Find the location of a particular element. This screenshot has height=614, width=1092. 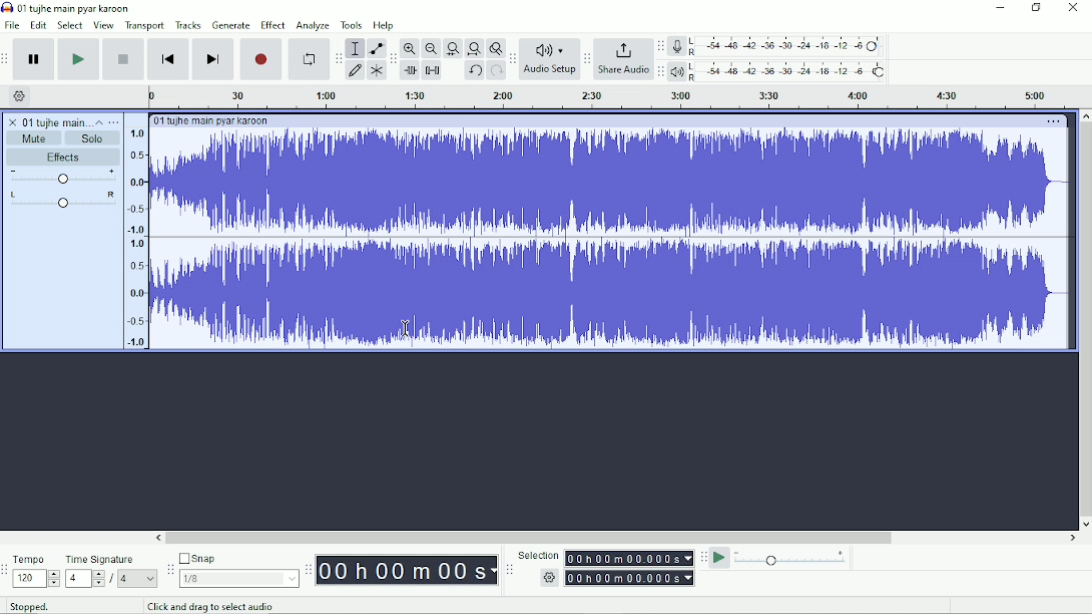

More options is located at coordinates (1056, 121).